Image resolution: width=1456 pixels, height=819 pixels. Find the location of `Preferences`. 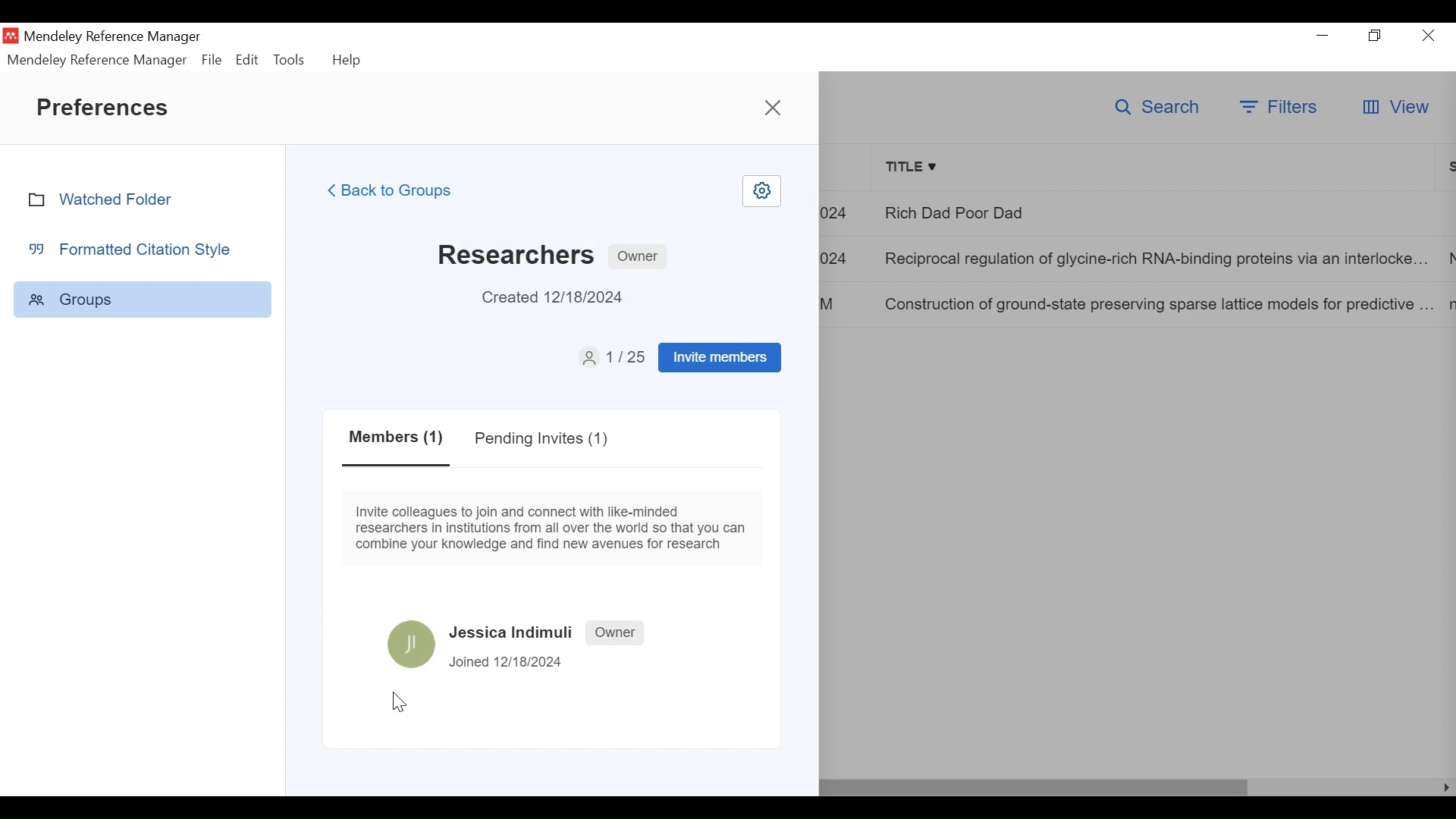

Preferences is located at coordinates (107, 107).